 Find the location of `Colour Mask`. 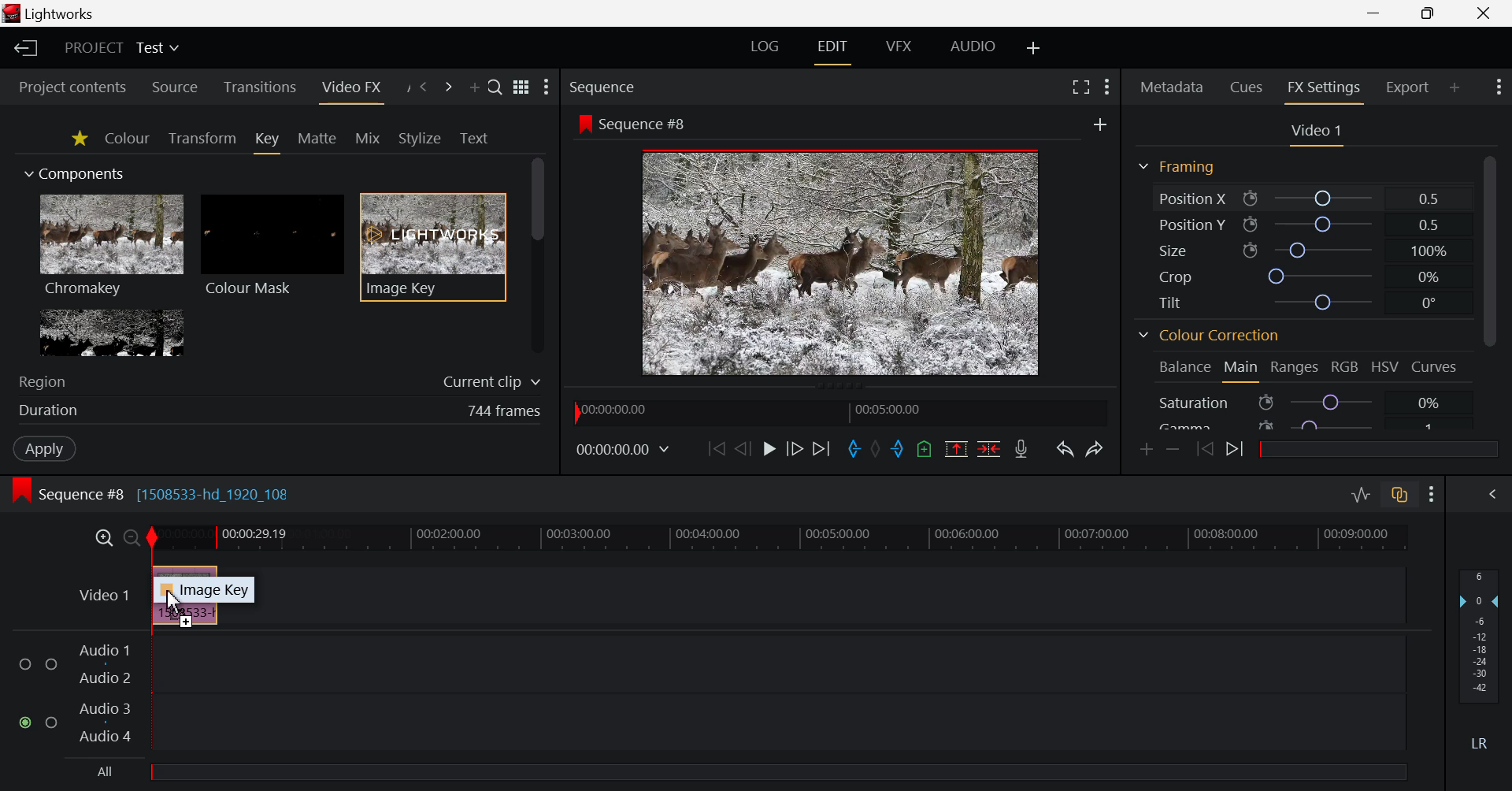

Colour Mask is located at coordinates (272, 247).